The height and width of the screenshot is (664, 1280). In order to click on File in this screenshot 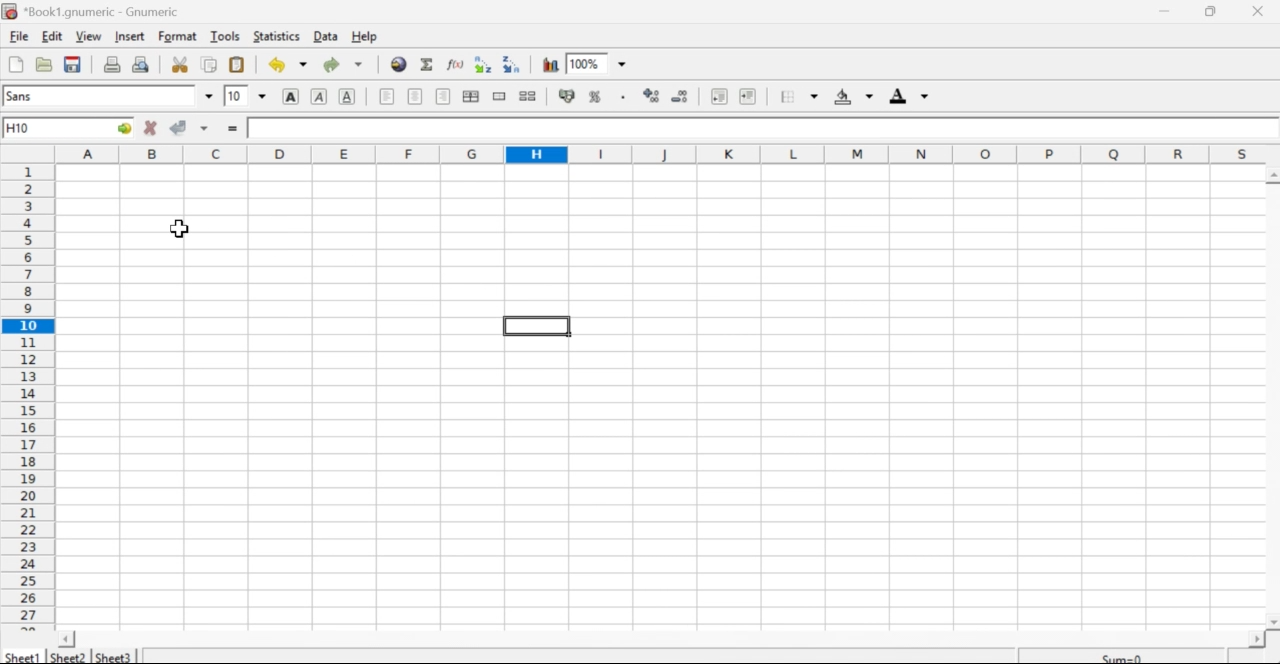, I will do `click(15, 66)`.